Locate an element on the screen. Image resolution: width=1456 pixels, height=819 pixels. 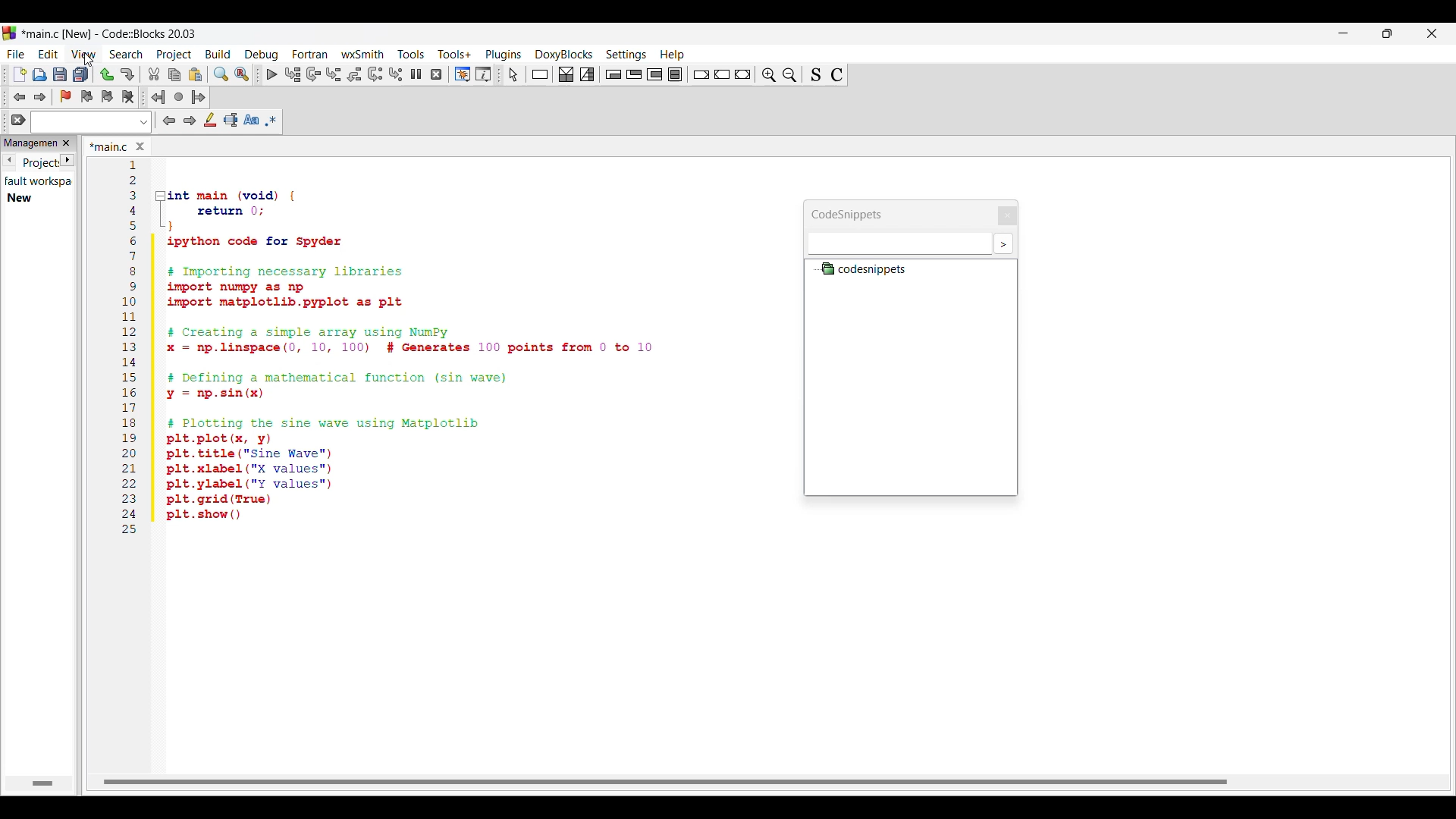
Selection is located at coordinates (587, 74).